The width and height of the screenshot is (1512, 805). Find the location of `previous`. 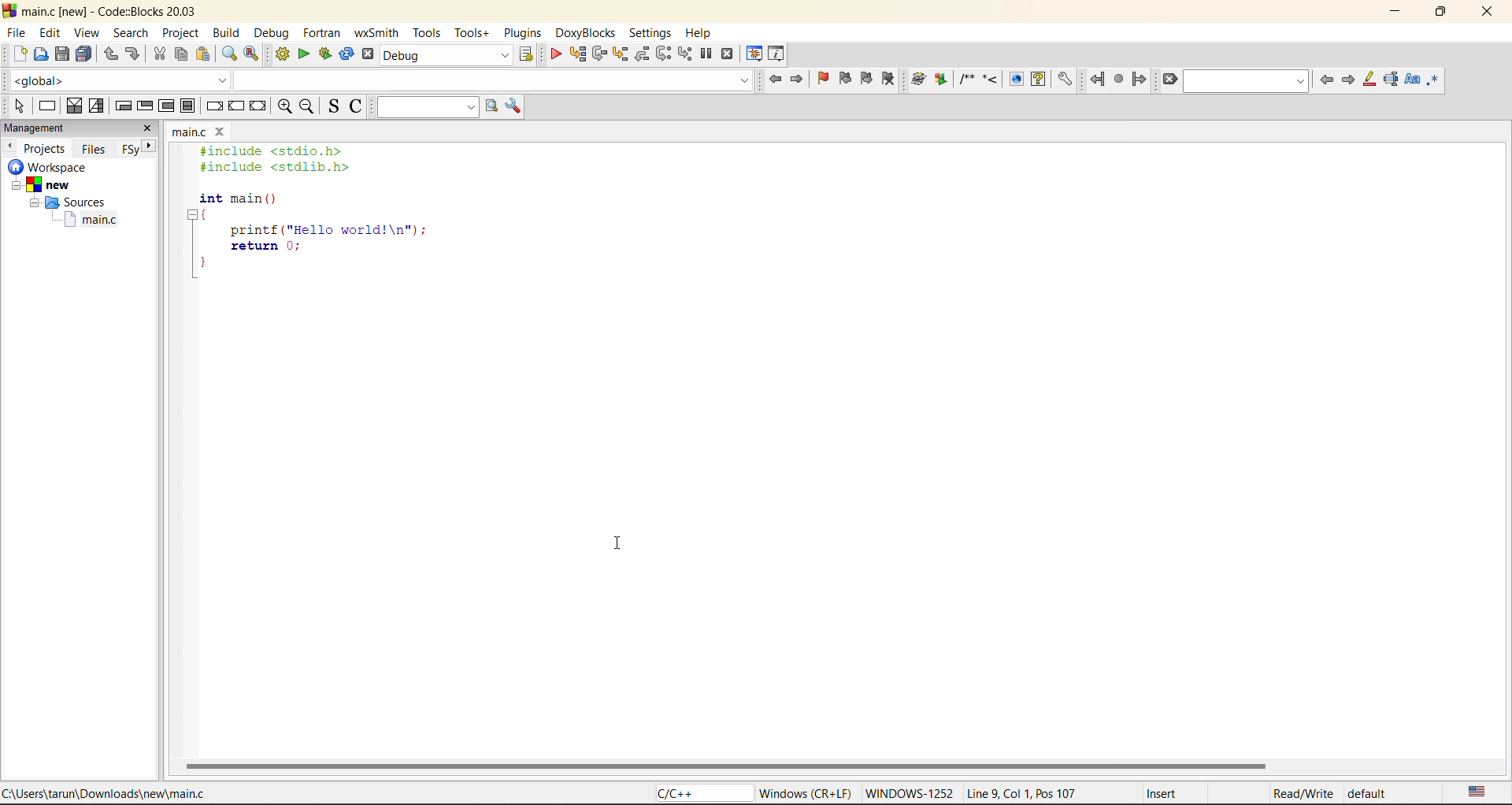

previous is located at coordinates (10, 146).